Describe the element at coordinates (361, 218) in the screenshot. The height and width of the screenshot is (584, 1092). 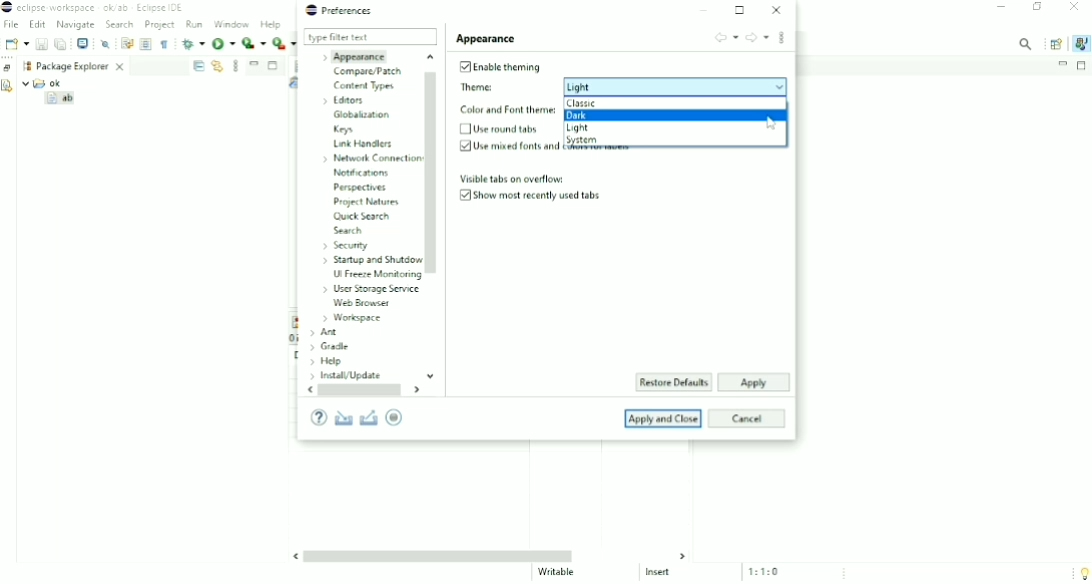
I see `Quick Search` at that location.